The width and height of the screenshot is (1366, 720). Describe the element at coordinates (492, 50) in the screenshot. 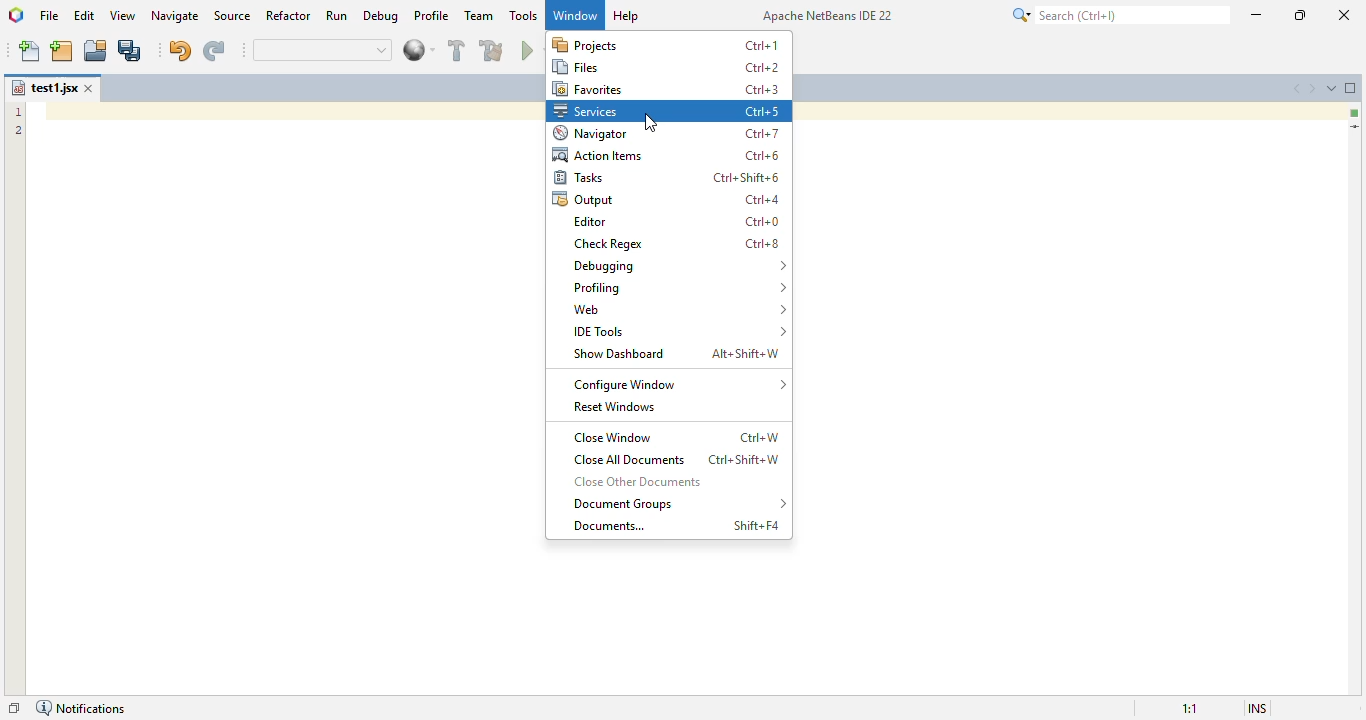

I see `clean and build project` at that location.